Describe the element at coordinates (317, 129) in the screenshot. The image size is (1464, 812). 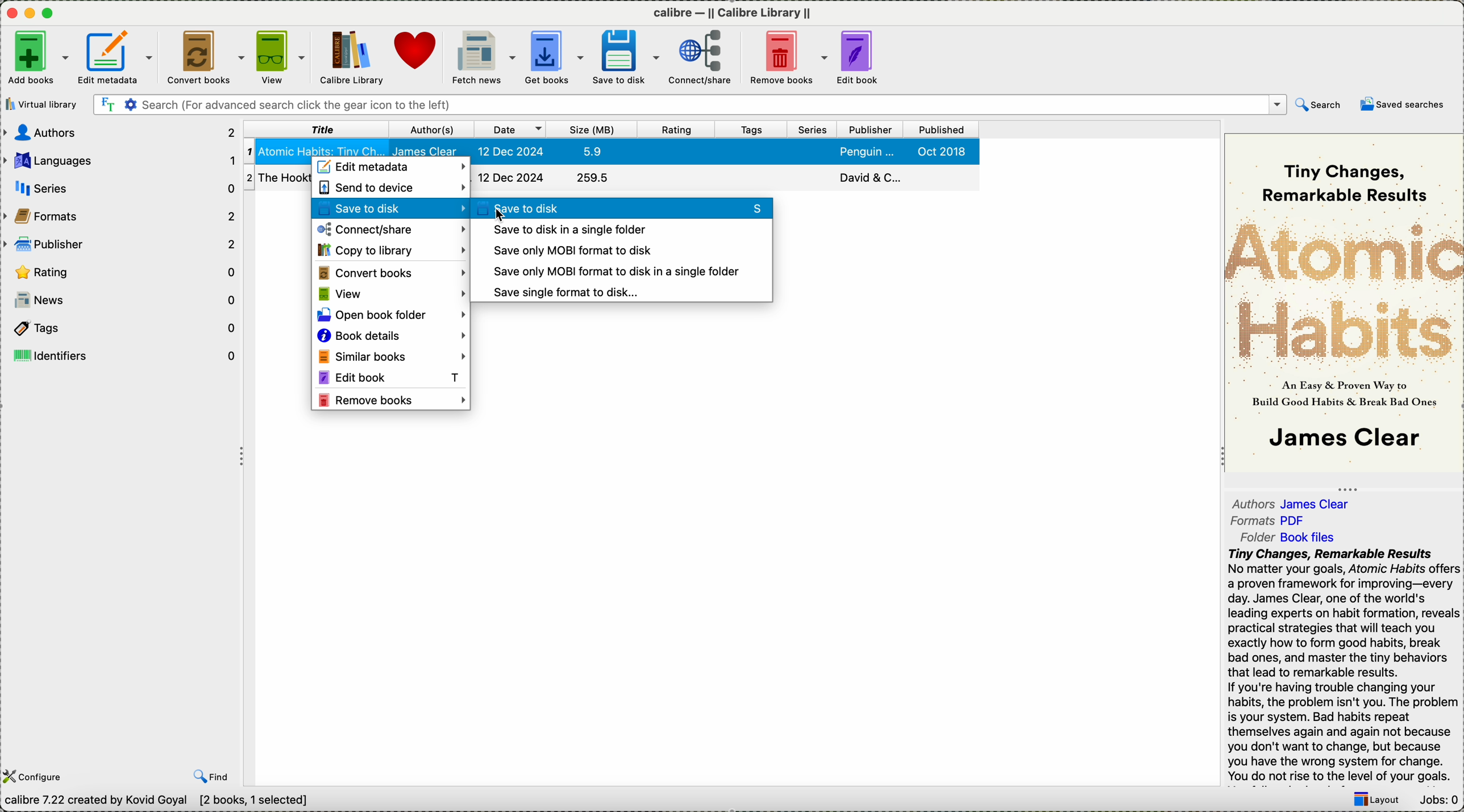
I see `title` at that location.